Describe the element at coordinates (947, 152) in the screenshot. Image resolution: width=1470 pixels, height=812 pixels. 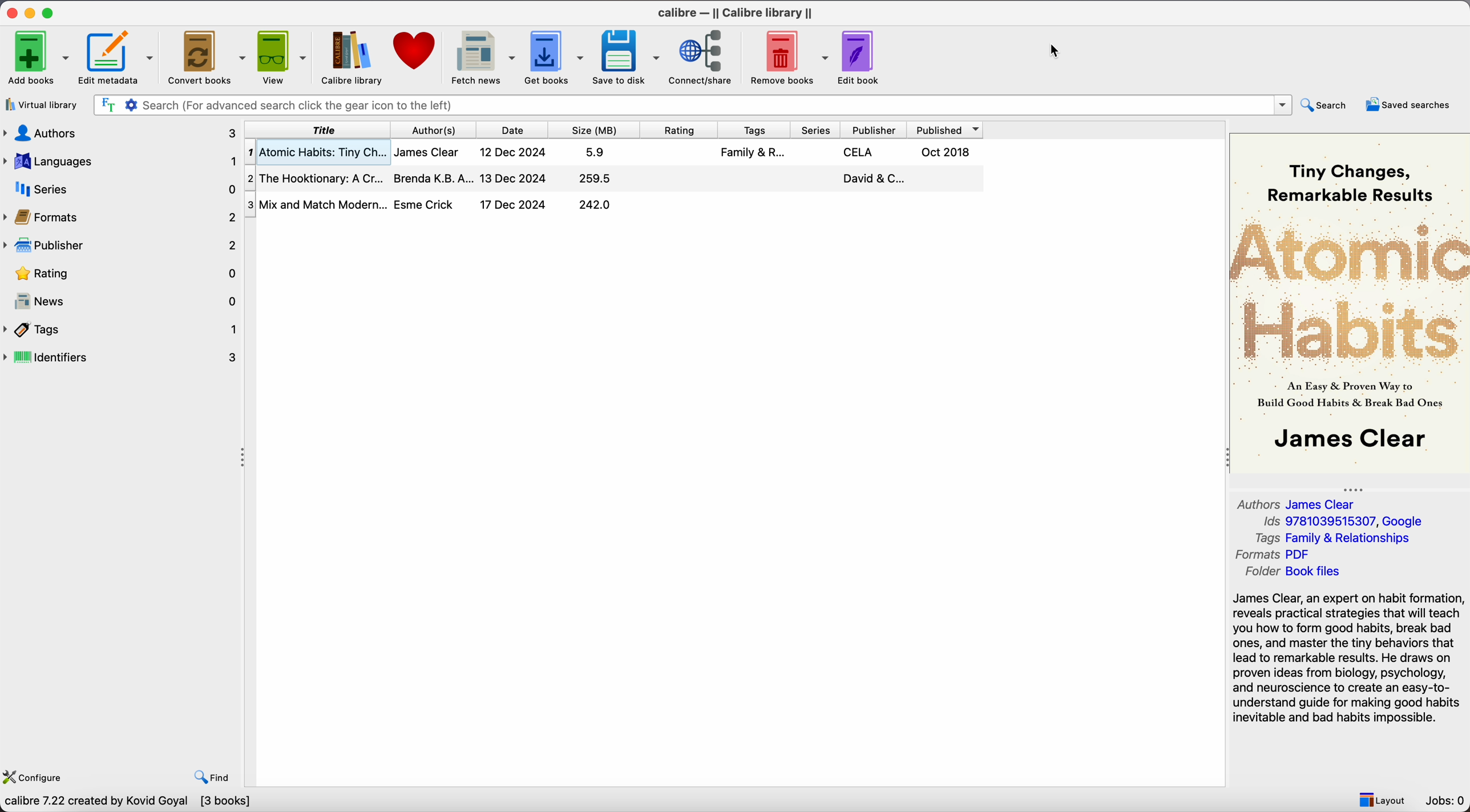
I see `Oct 2018` at that location.